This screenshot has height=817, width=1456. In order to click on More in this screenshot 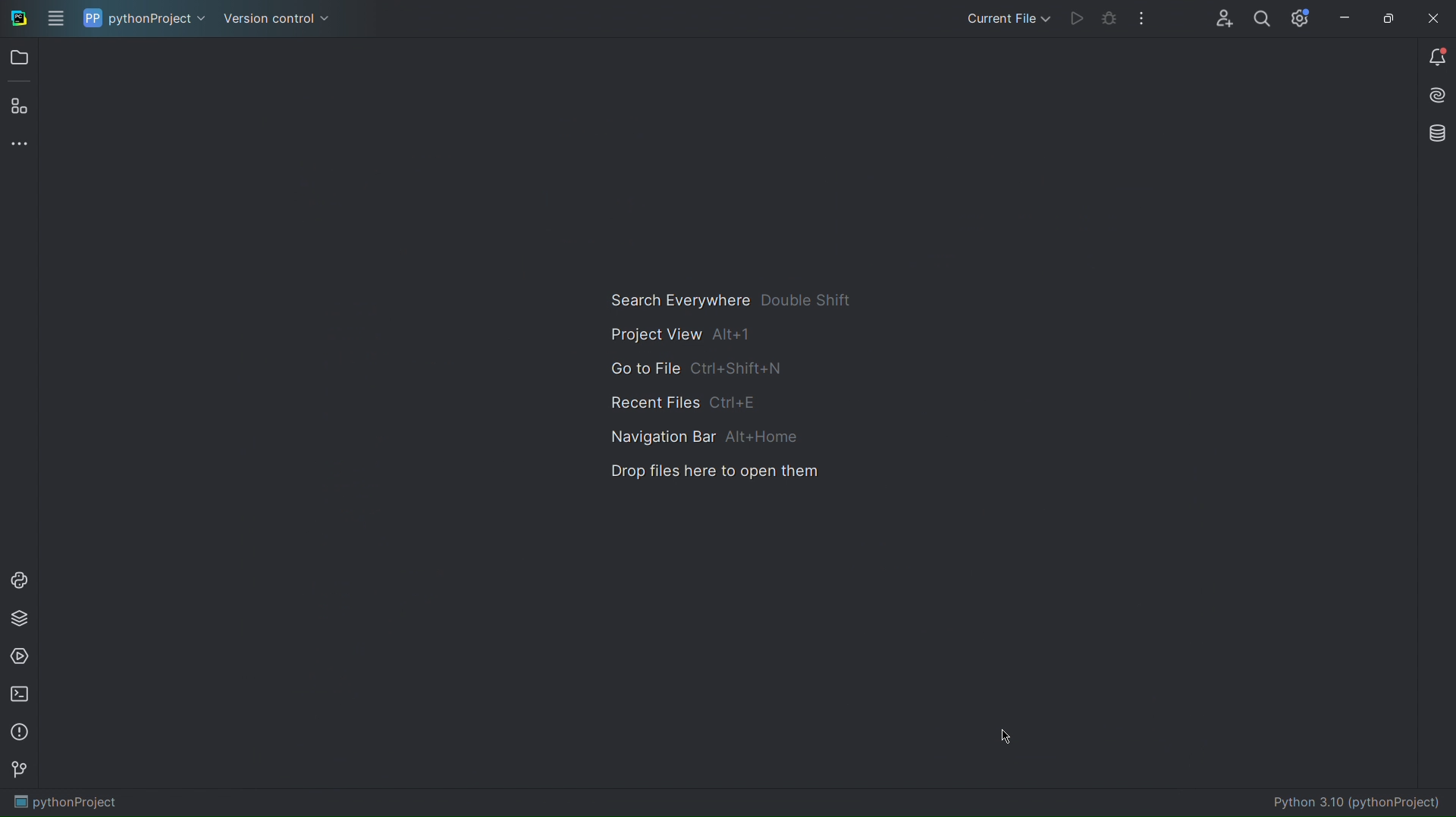, I will do `click(21, 146)`.